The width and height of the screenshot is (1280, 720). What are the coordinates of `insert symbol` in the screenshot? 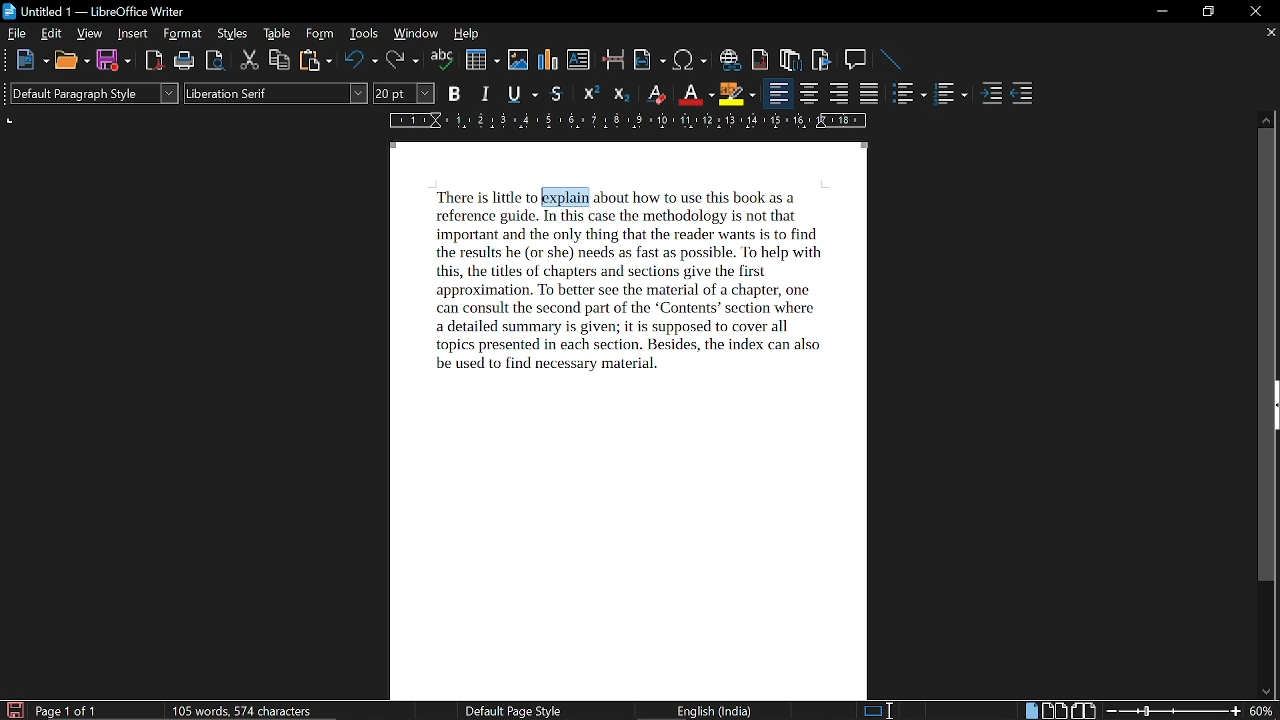 It's located at (690, 60).